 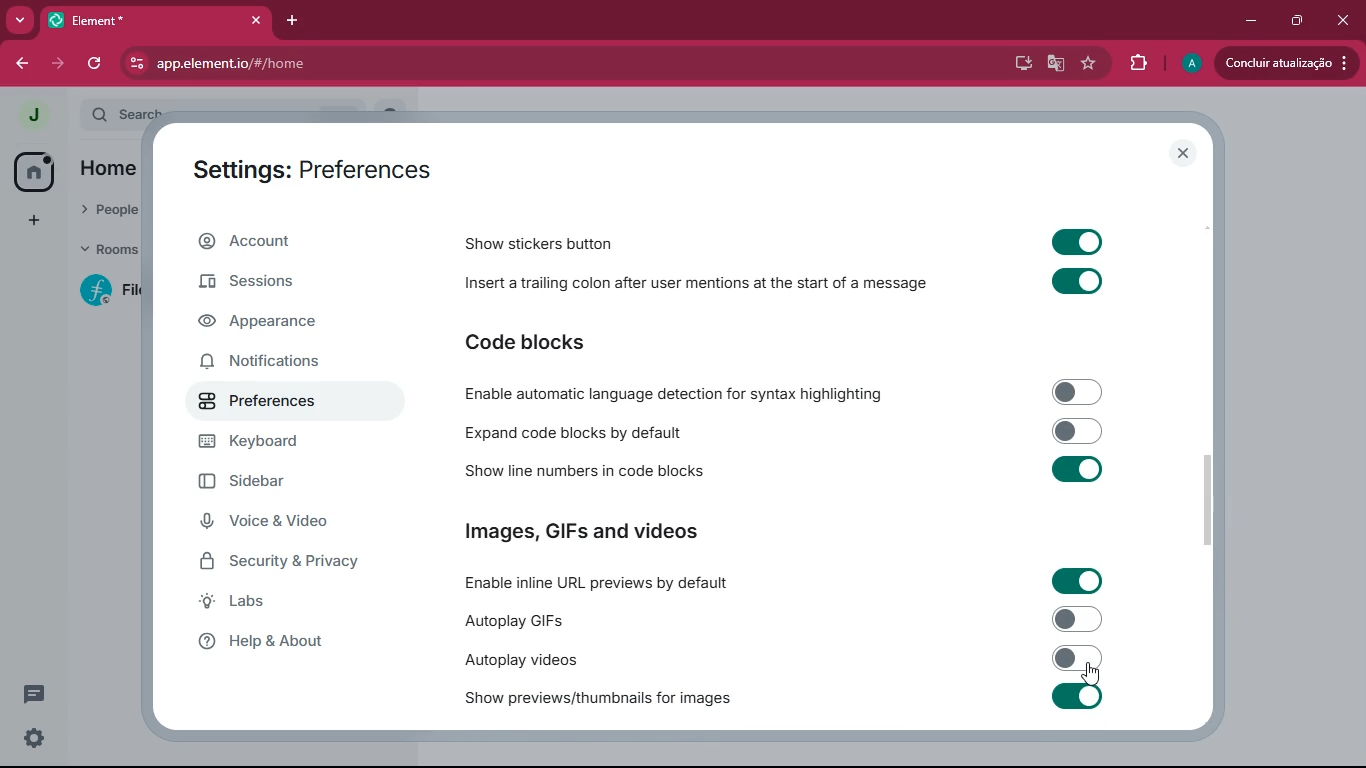 What do you see at coordinates (598, 699) in the screenshot?
I see `show` at bounding box center [598, 699].